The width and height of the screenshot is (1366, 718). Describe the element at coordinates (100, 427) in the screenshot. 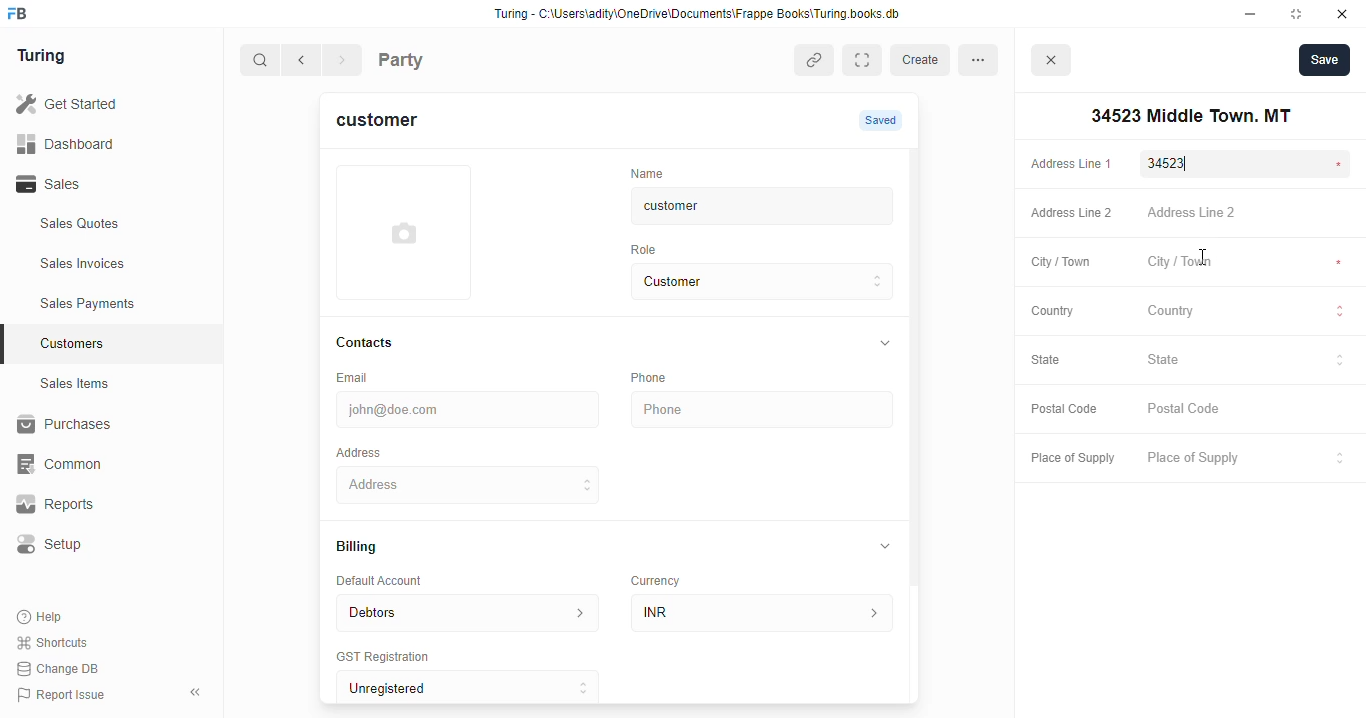

I see `Purchases` at that location.